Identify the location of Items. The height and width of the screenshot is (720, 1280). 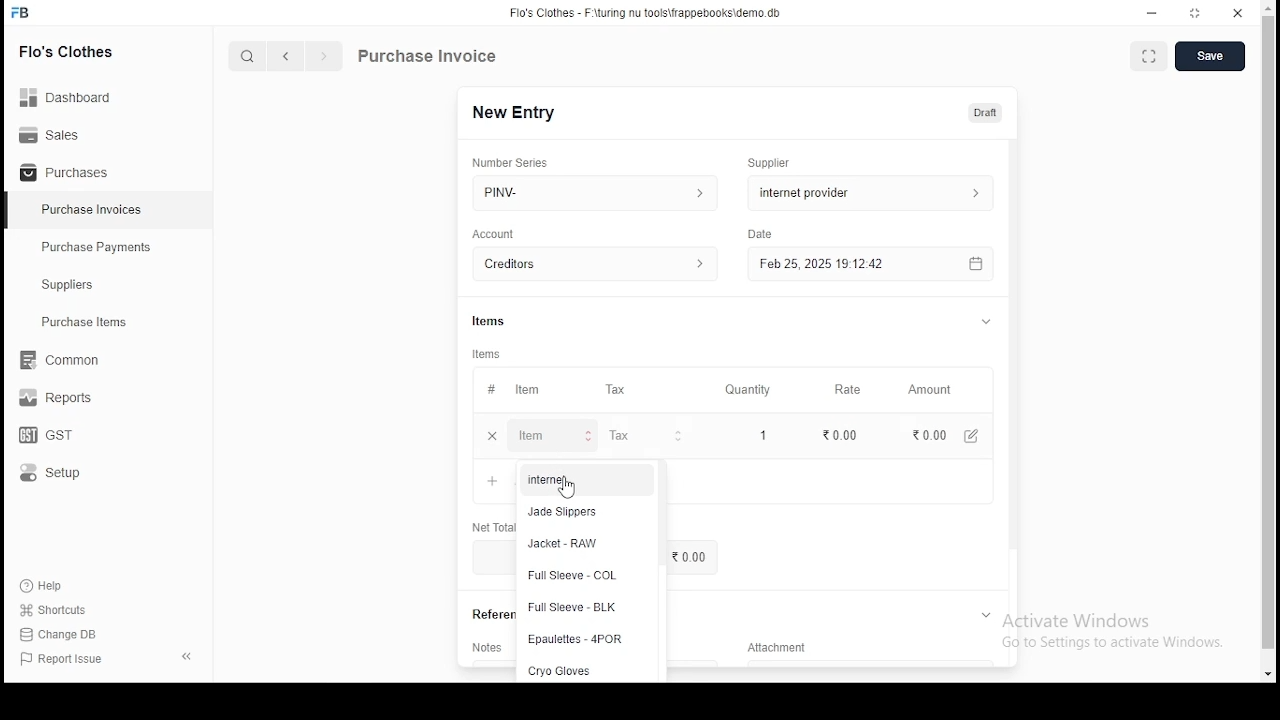
(495, 354).